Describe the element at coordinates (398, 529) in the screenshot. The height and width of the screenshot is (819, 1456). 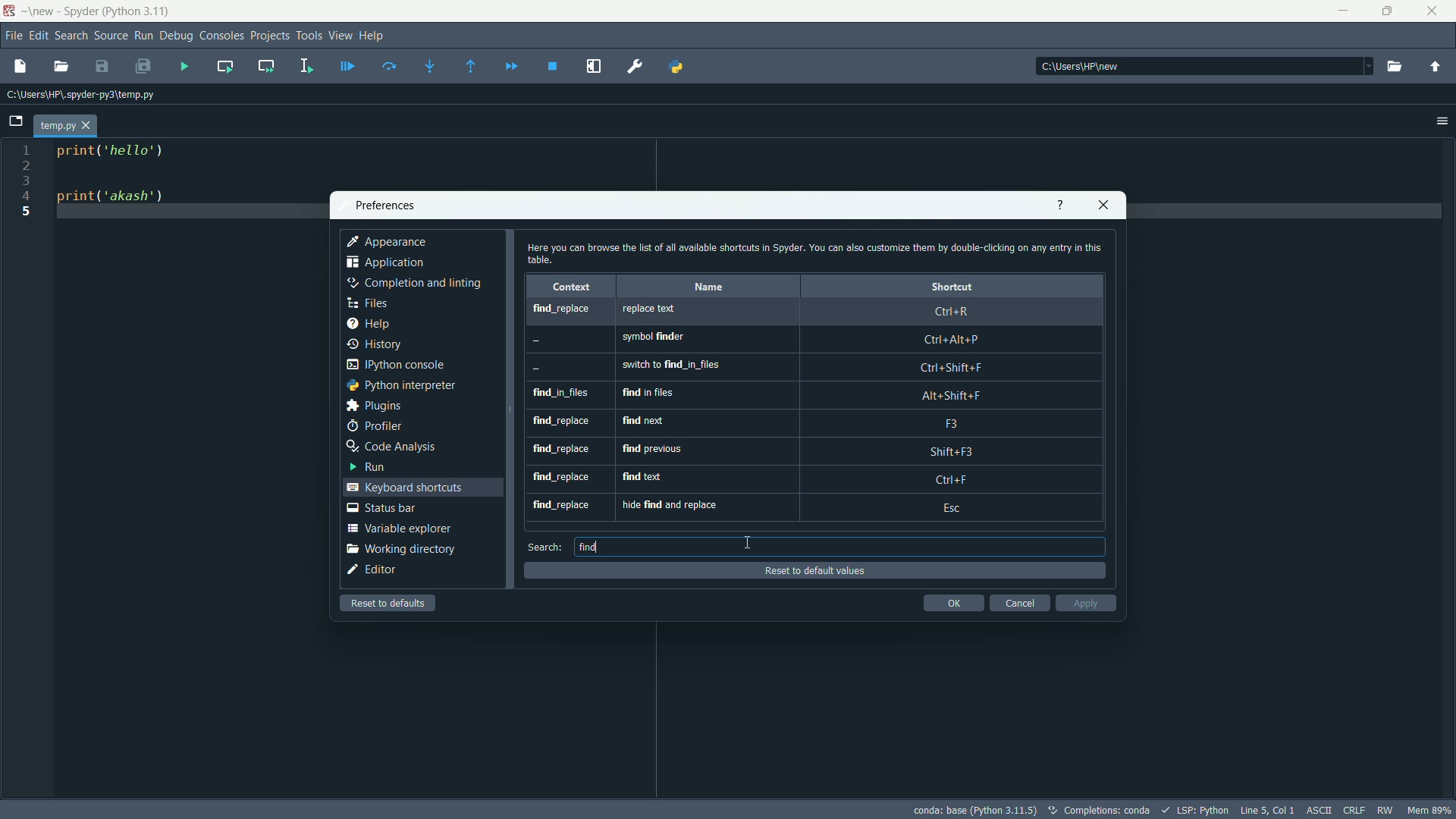
I see `variable explore` at that location.